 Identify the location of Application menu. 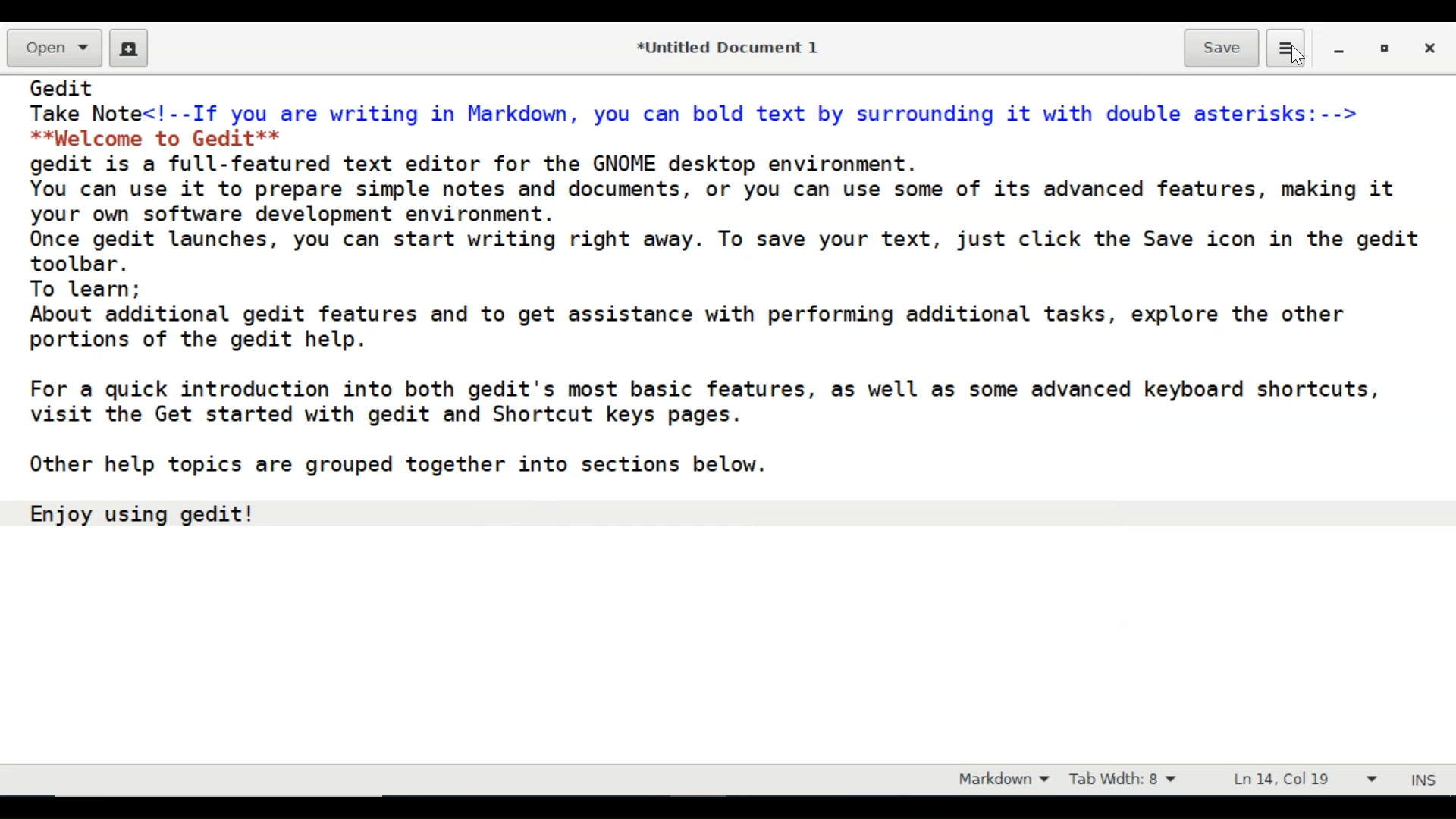
(1285, 49).